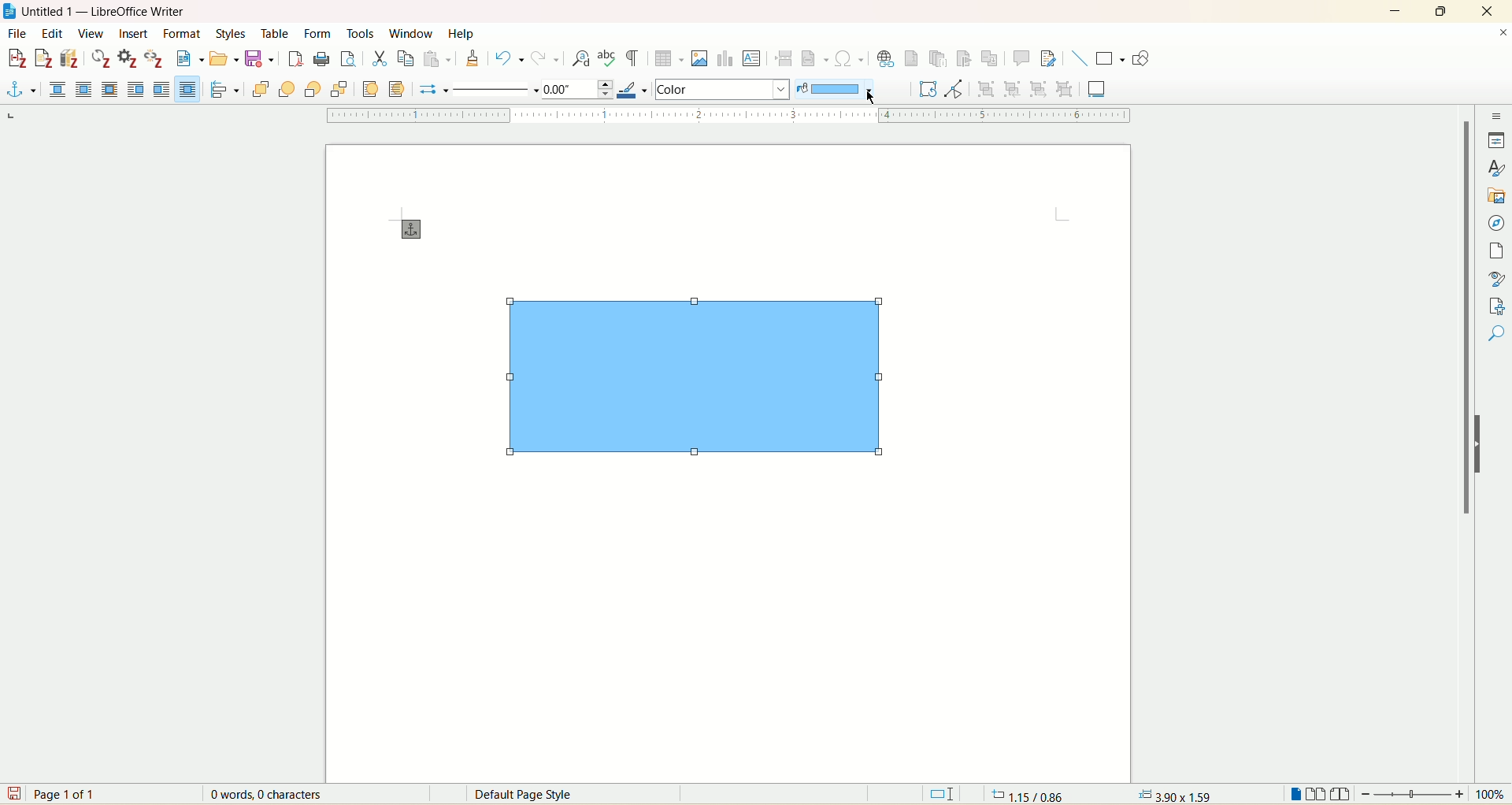  Describe the element at coordinates (943, 795) in the screenshot. I see `standard selection` at that location.